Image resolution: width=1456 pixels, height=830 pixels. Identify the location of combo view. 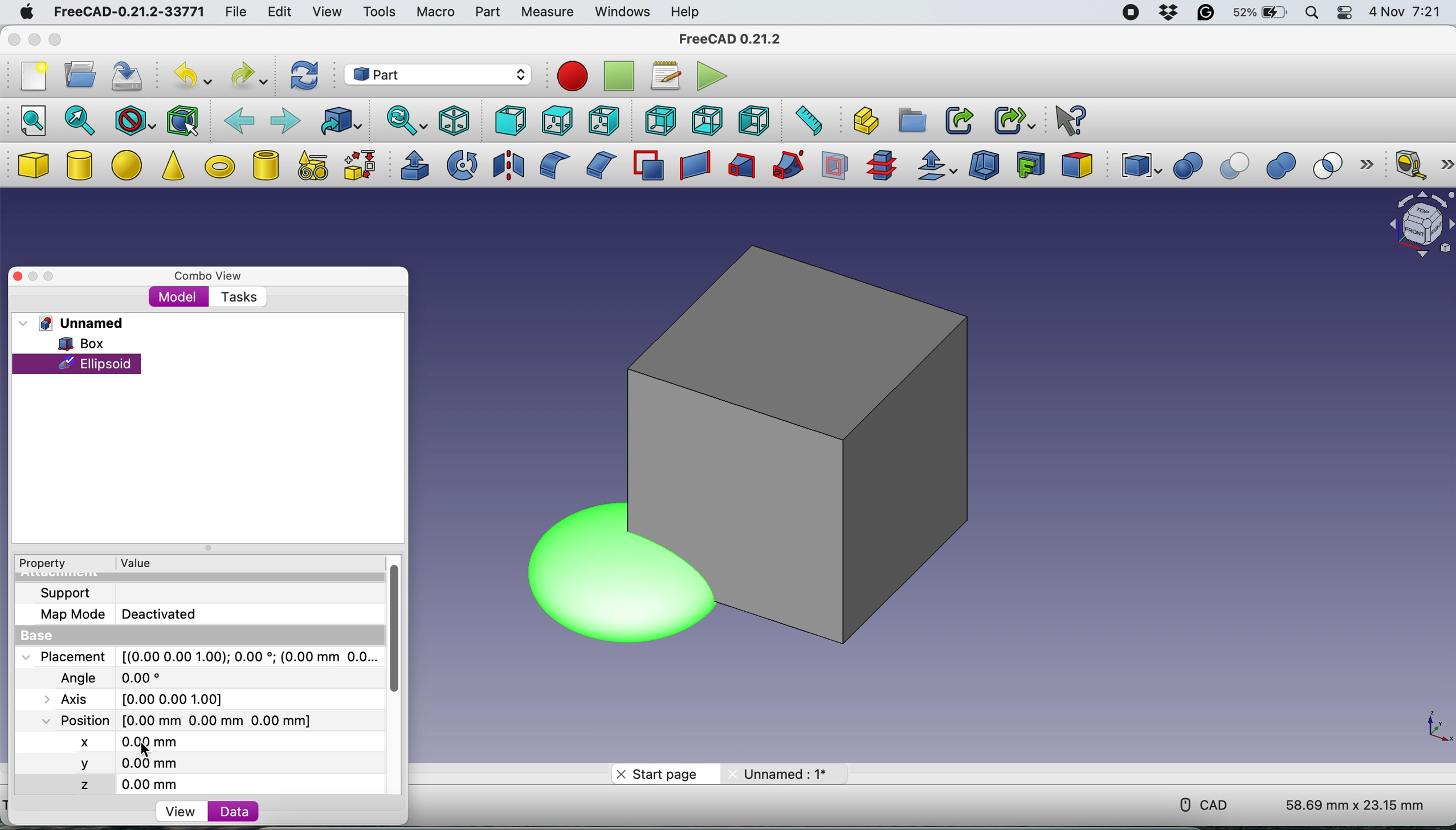
(204, 272).